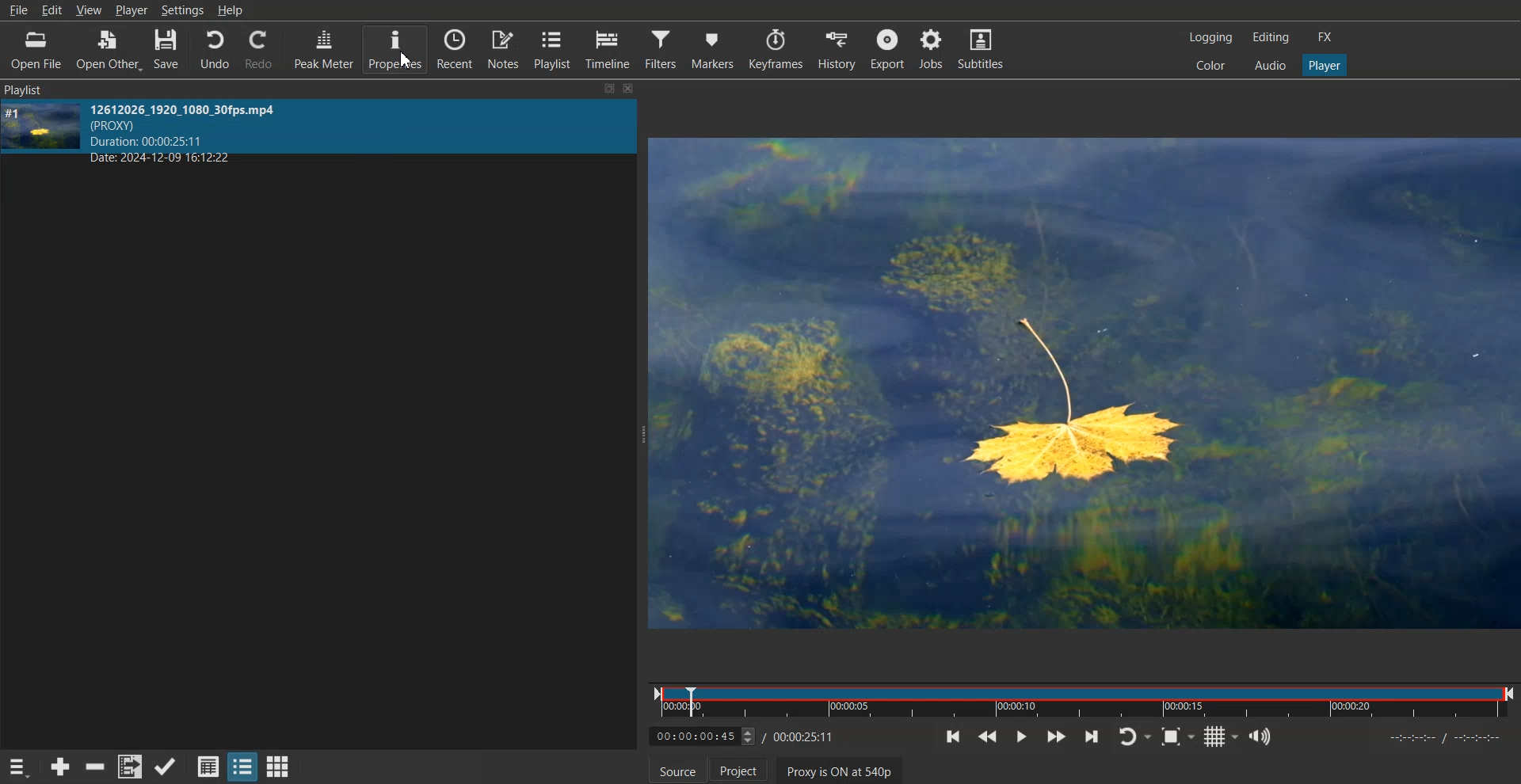 This screenshot has height=784, width=1521. What do you see at coordinates (1327, 38) in the screenshot?
I see `FX` at bounding box center [1327, 38].